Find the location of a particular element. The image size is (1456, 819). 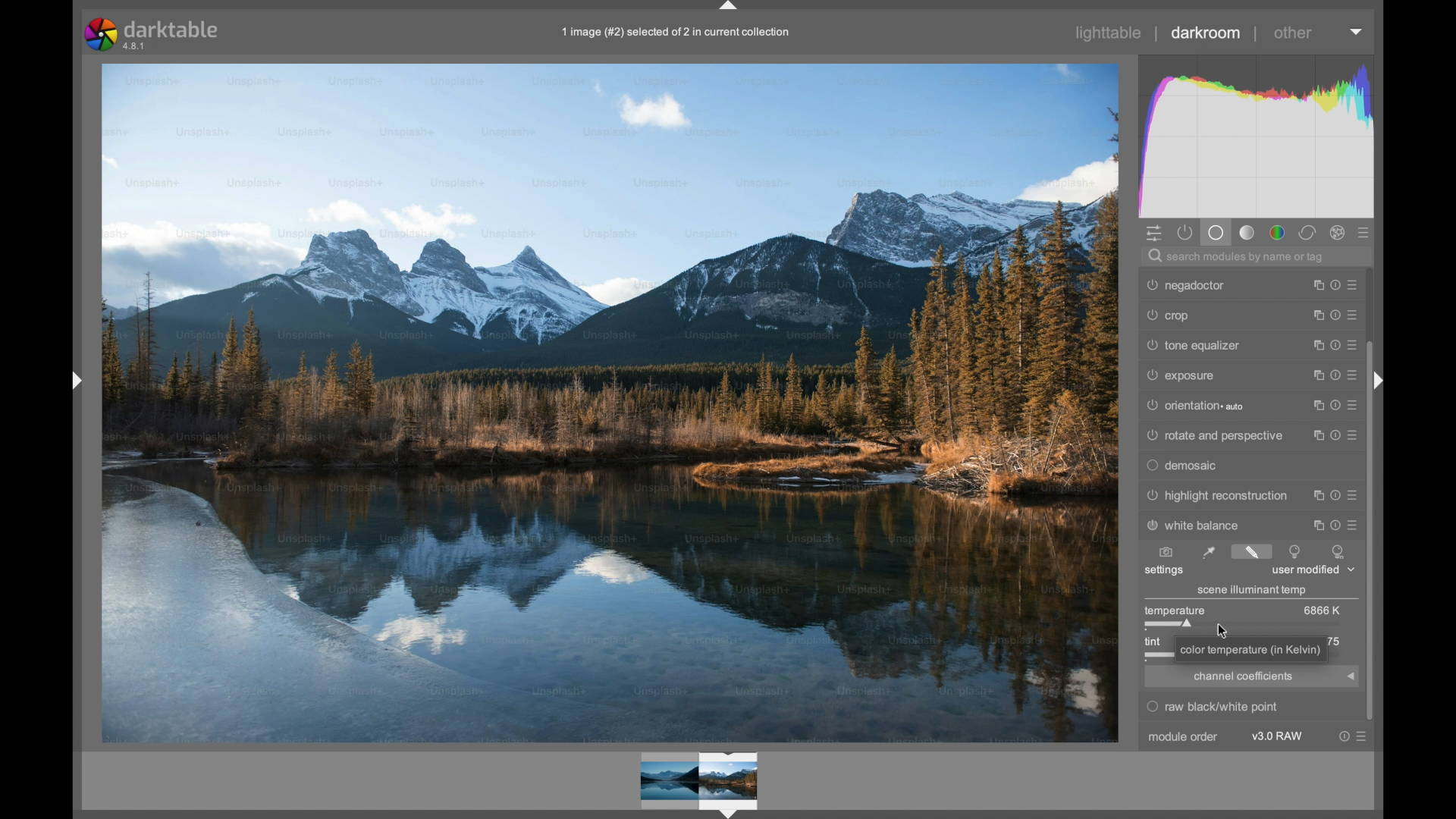

6866k is located at coordinates (1323, 610).